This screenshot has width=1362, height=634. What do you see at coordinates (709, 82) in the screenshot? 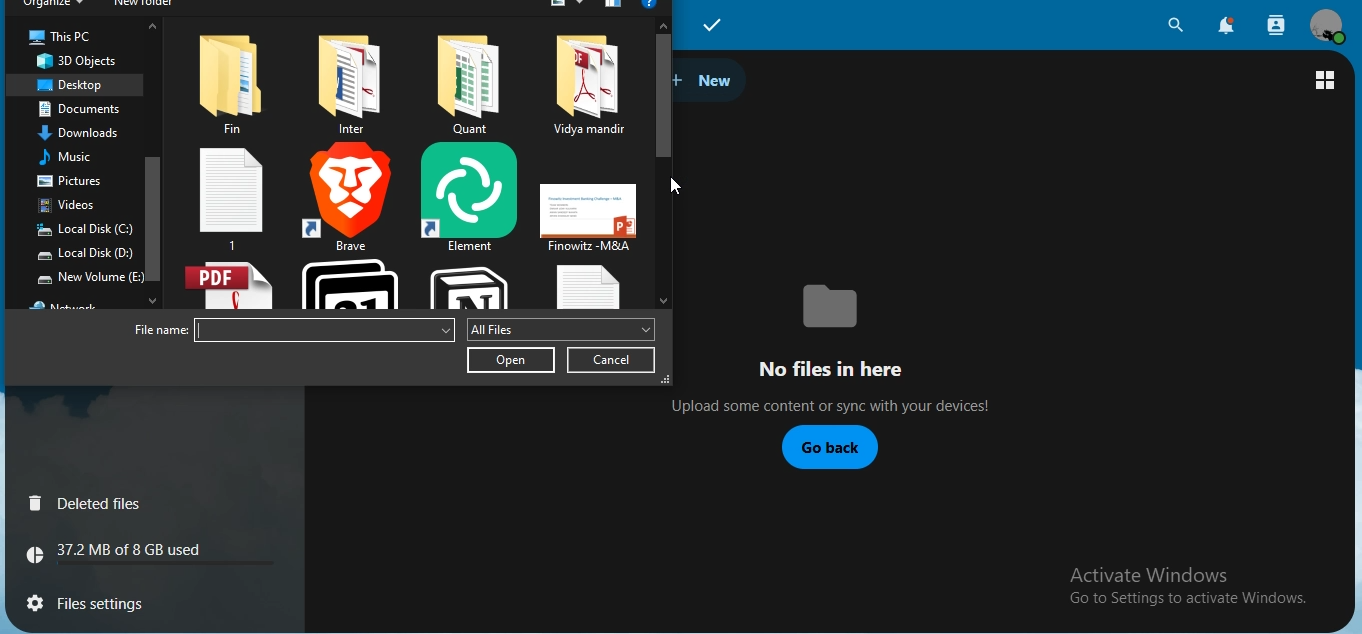
I see `new` at bounding box center [709, 82].